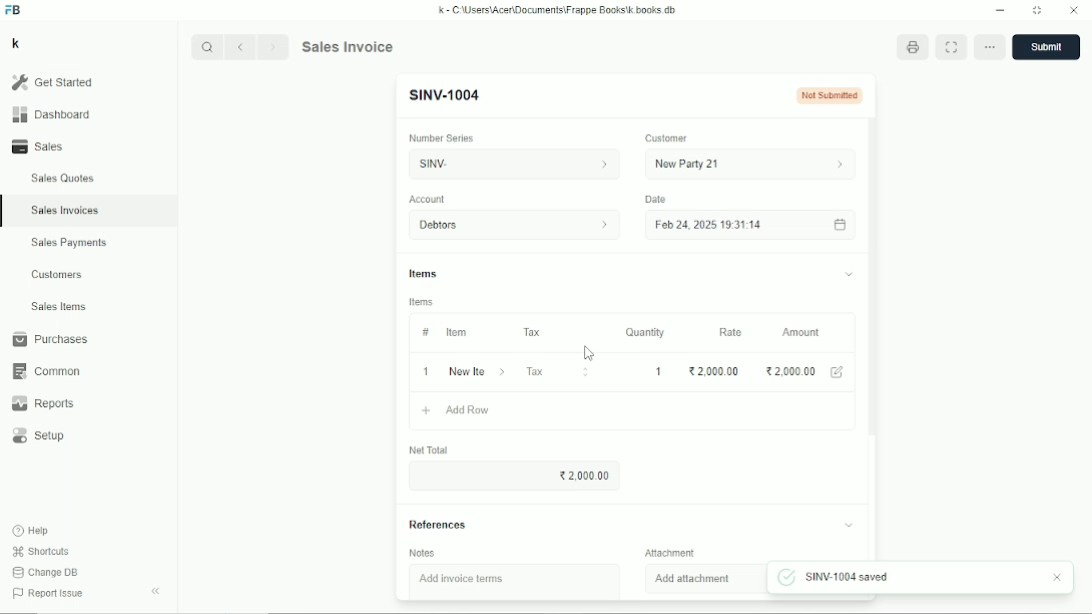  What do you see at coordinates (631, 276) in the screenshot?
I see `Items` at bounding box center [631, 276].